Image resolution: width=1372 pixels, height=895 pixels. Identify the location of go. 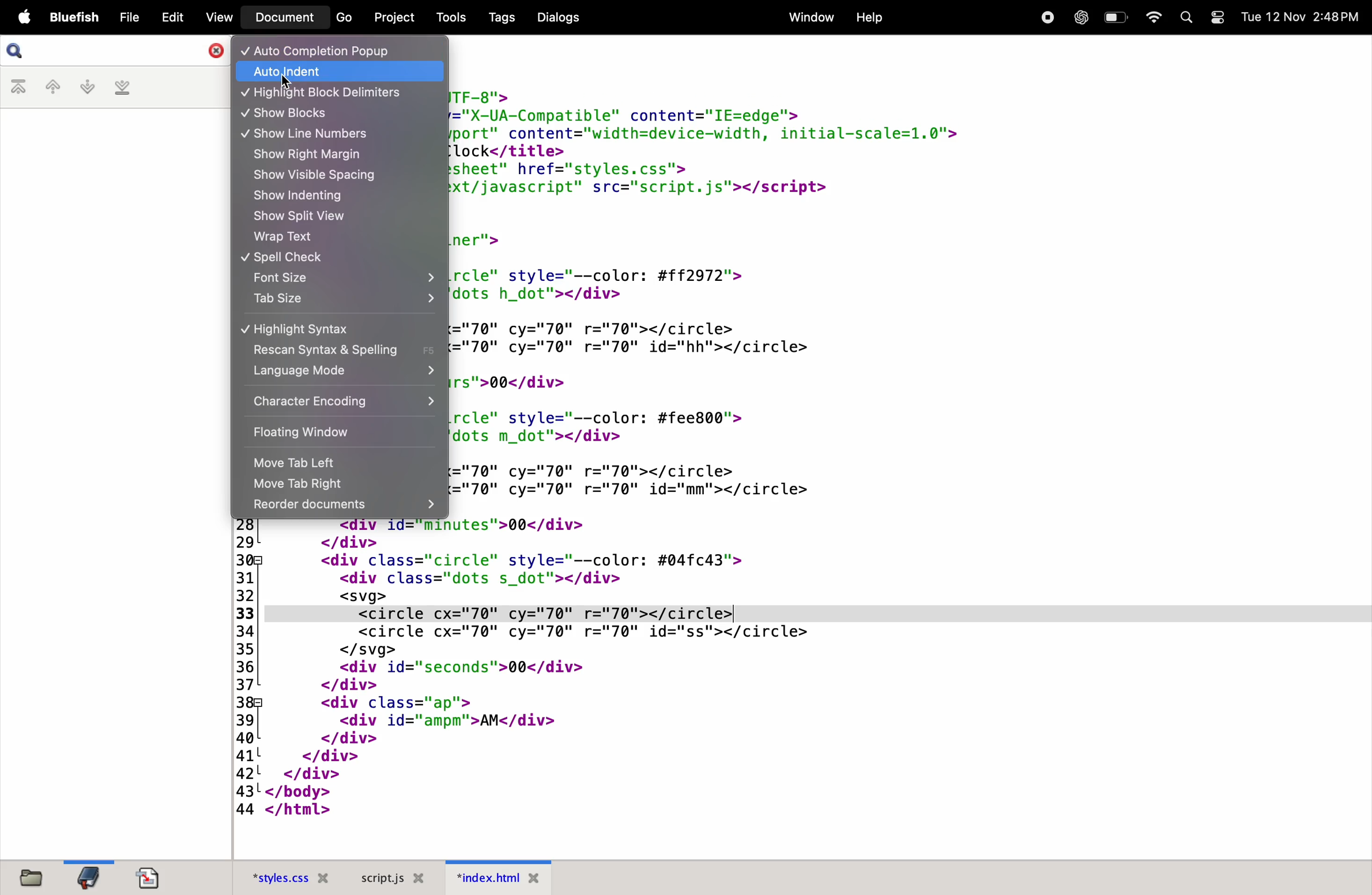
(339, 18).